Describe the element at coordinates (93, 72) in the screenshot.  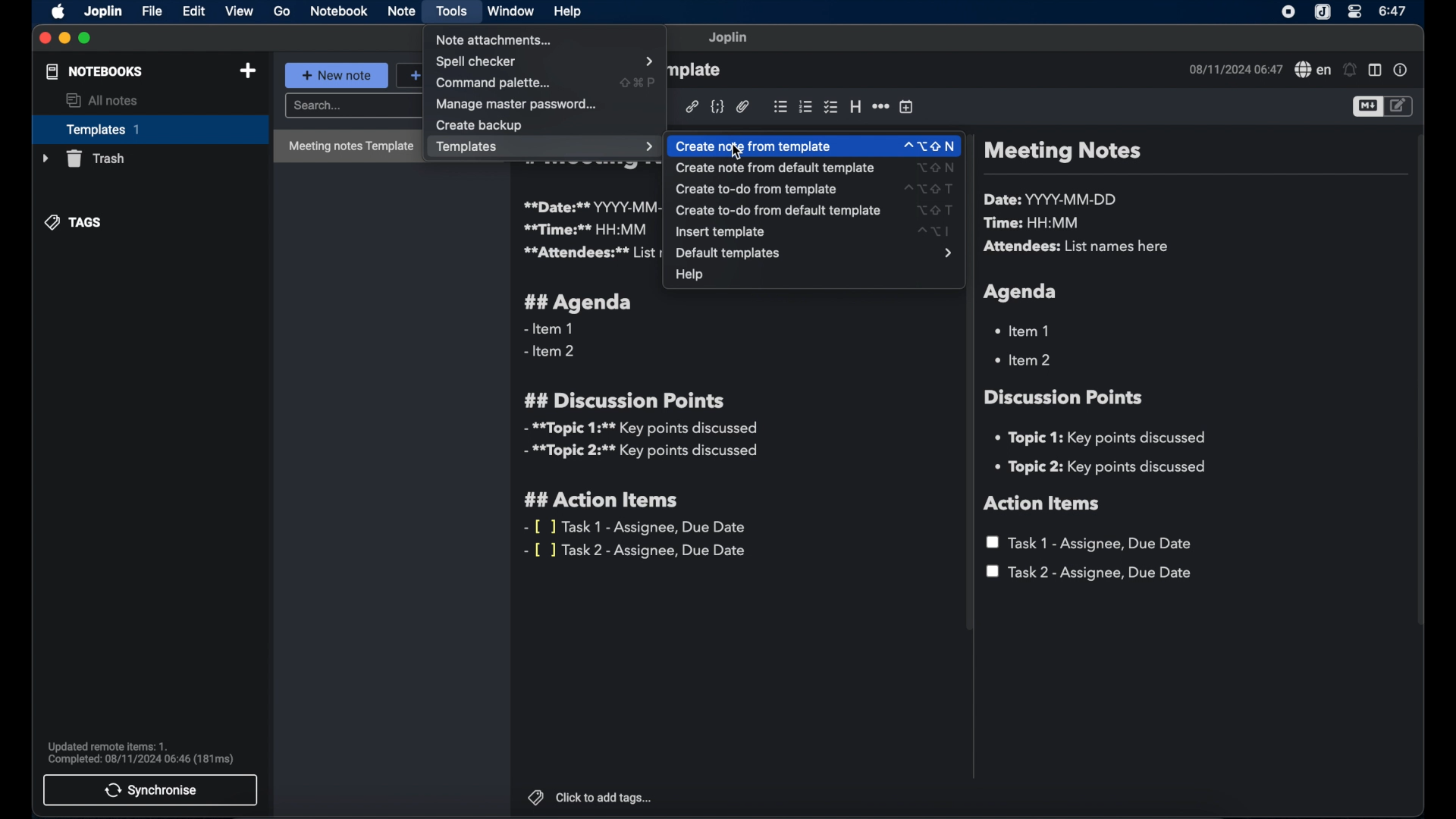
I see `notebooks` at that location.